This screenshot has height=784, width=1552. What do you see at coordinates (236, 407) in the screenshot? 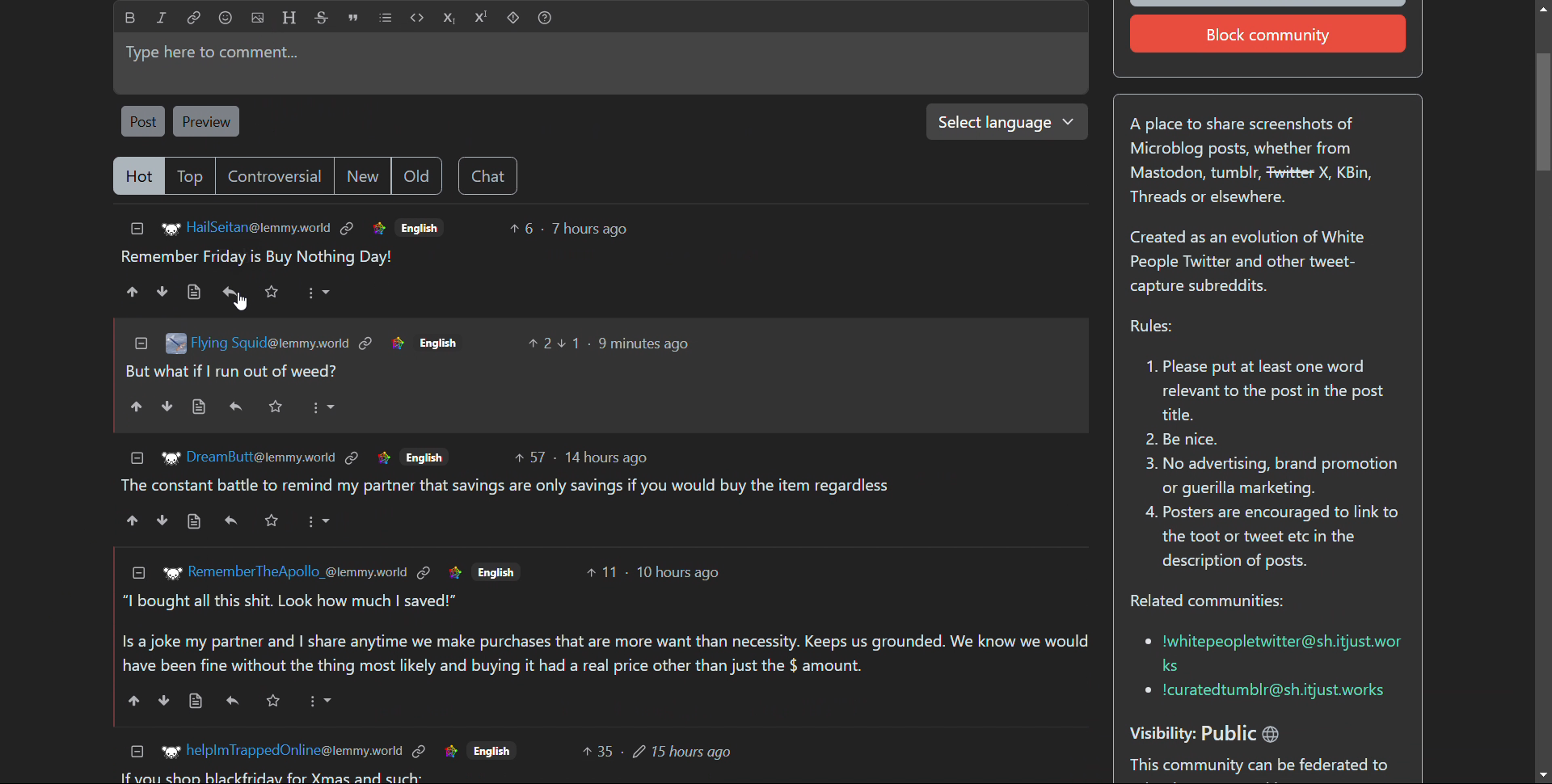
I see `reply` at bounding box center [236, 407].